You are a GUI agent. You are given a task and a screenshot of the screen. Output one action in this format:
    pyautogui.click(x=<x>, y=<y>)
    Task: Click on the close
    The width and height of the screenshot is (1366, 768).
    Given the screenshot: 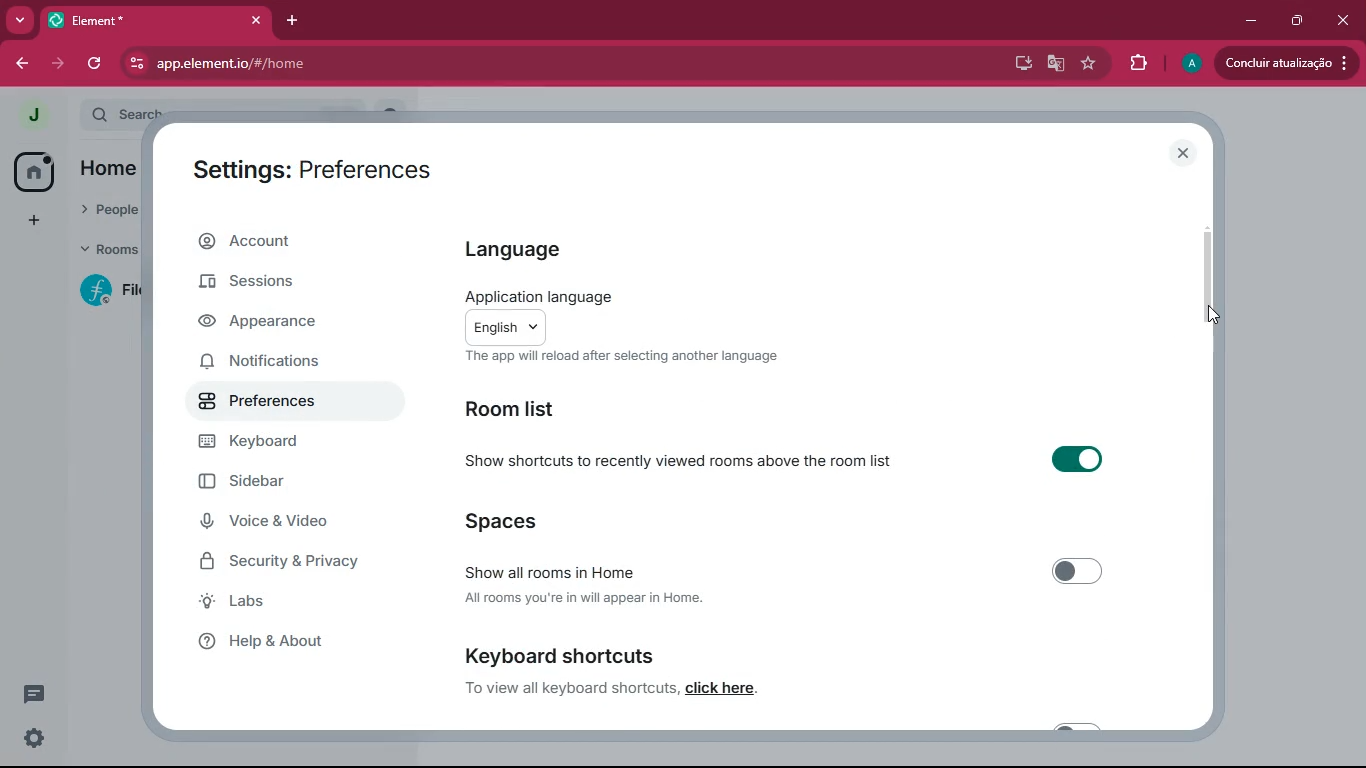 What is the action you would take?
    pyautogui.click(x=1342, y=21)
    